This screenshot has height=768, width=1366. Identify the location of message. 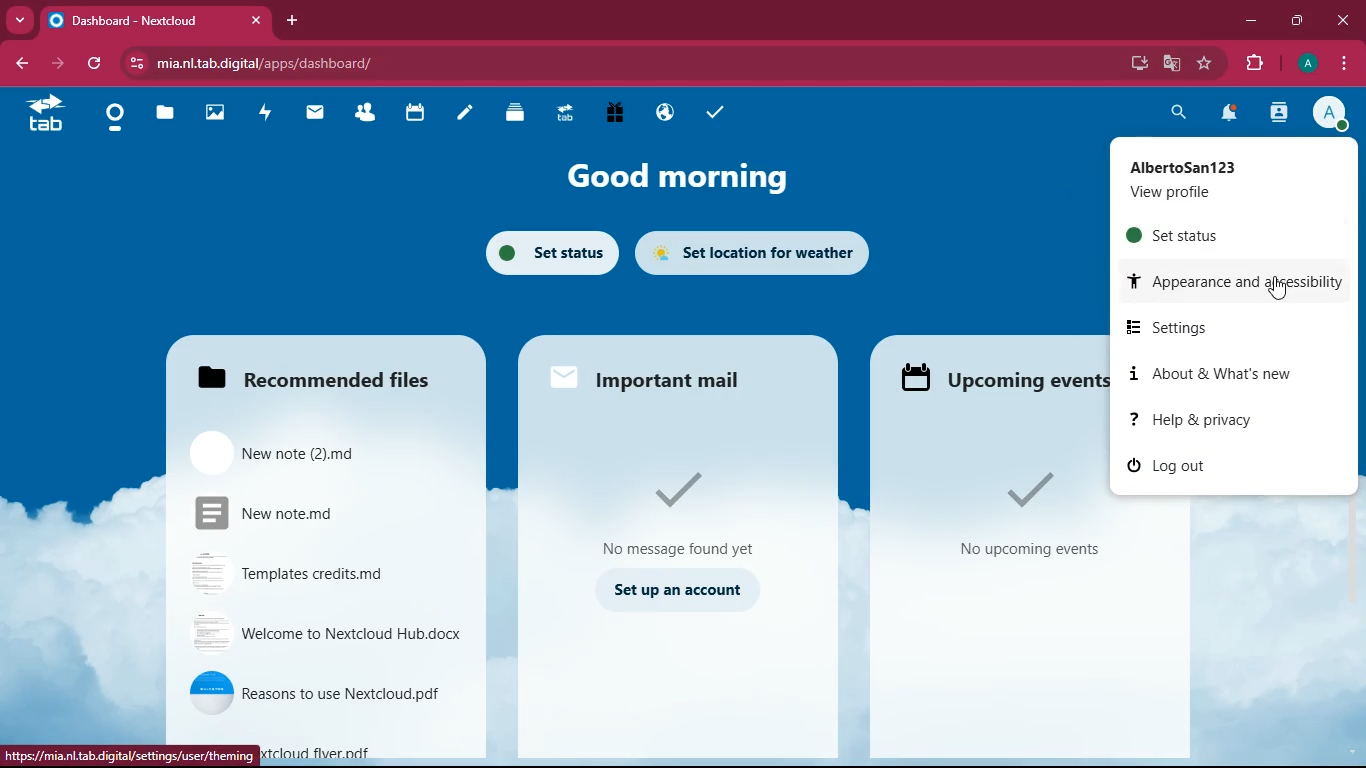
(683, 516).